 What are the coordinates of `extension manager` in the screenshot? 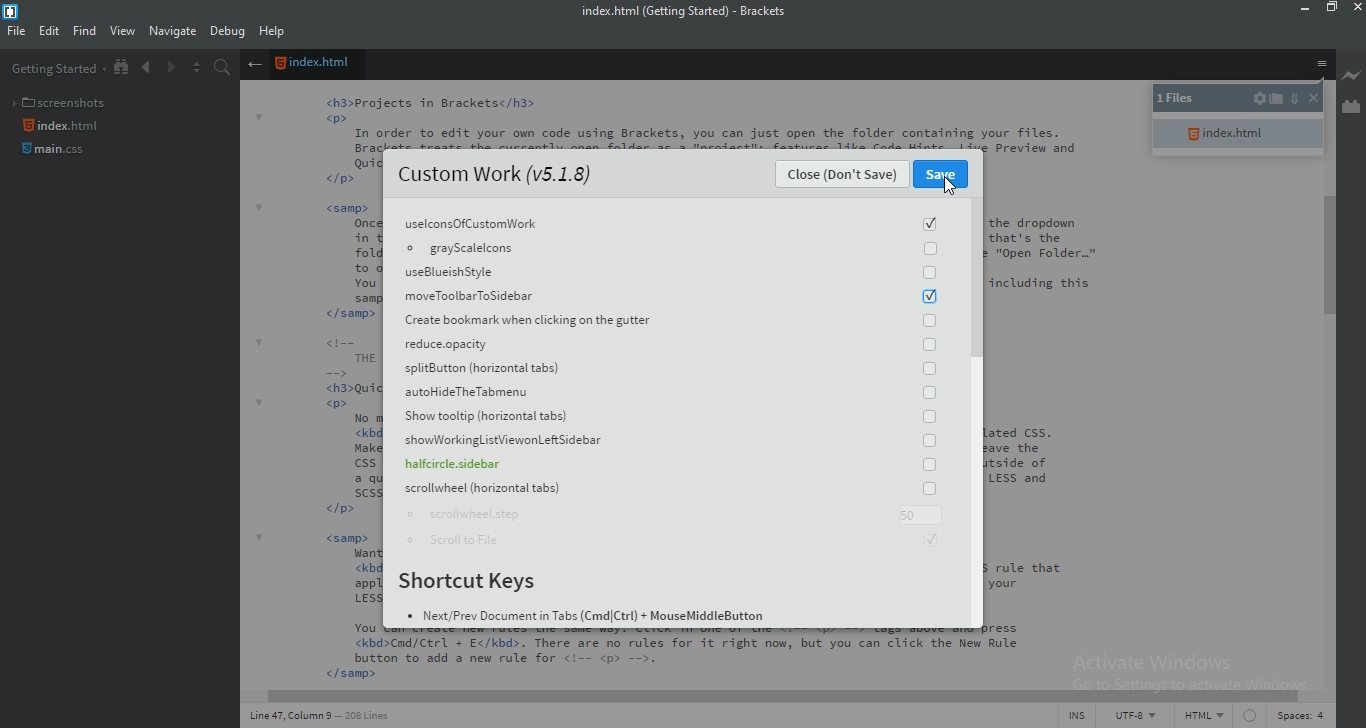 It's located at (1350, 108).